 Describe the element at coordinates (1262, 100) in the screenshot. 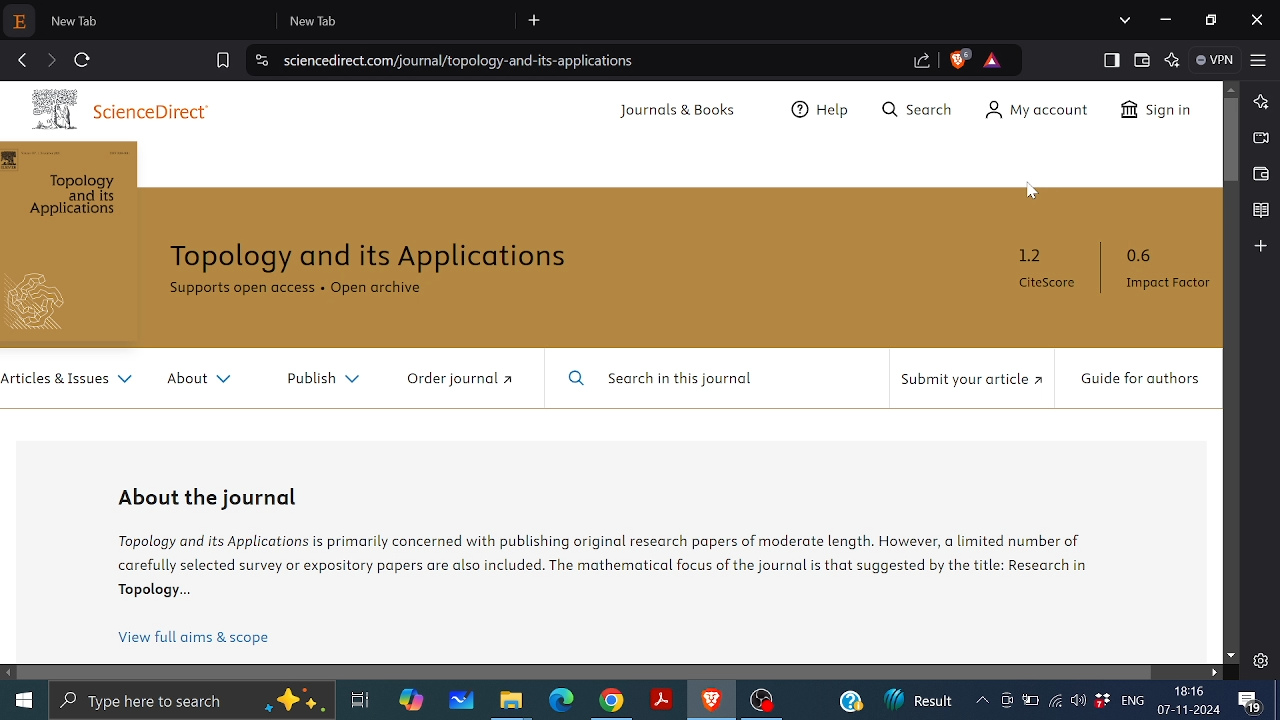

I see `Leo ` at that location.